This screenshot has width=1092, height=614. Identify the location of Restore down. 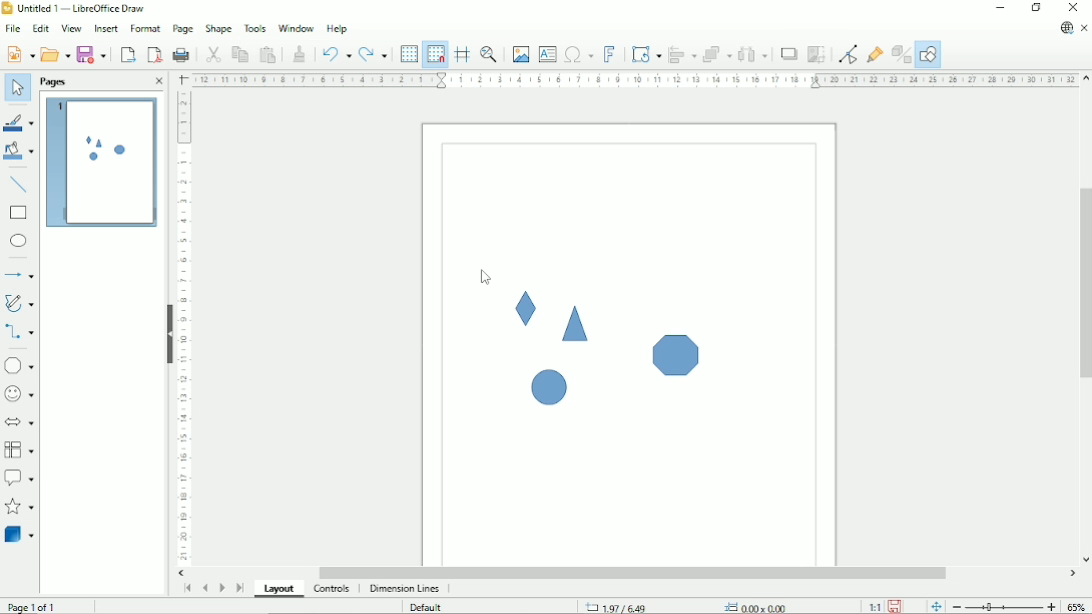
(1038, 9).